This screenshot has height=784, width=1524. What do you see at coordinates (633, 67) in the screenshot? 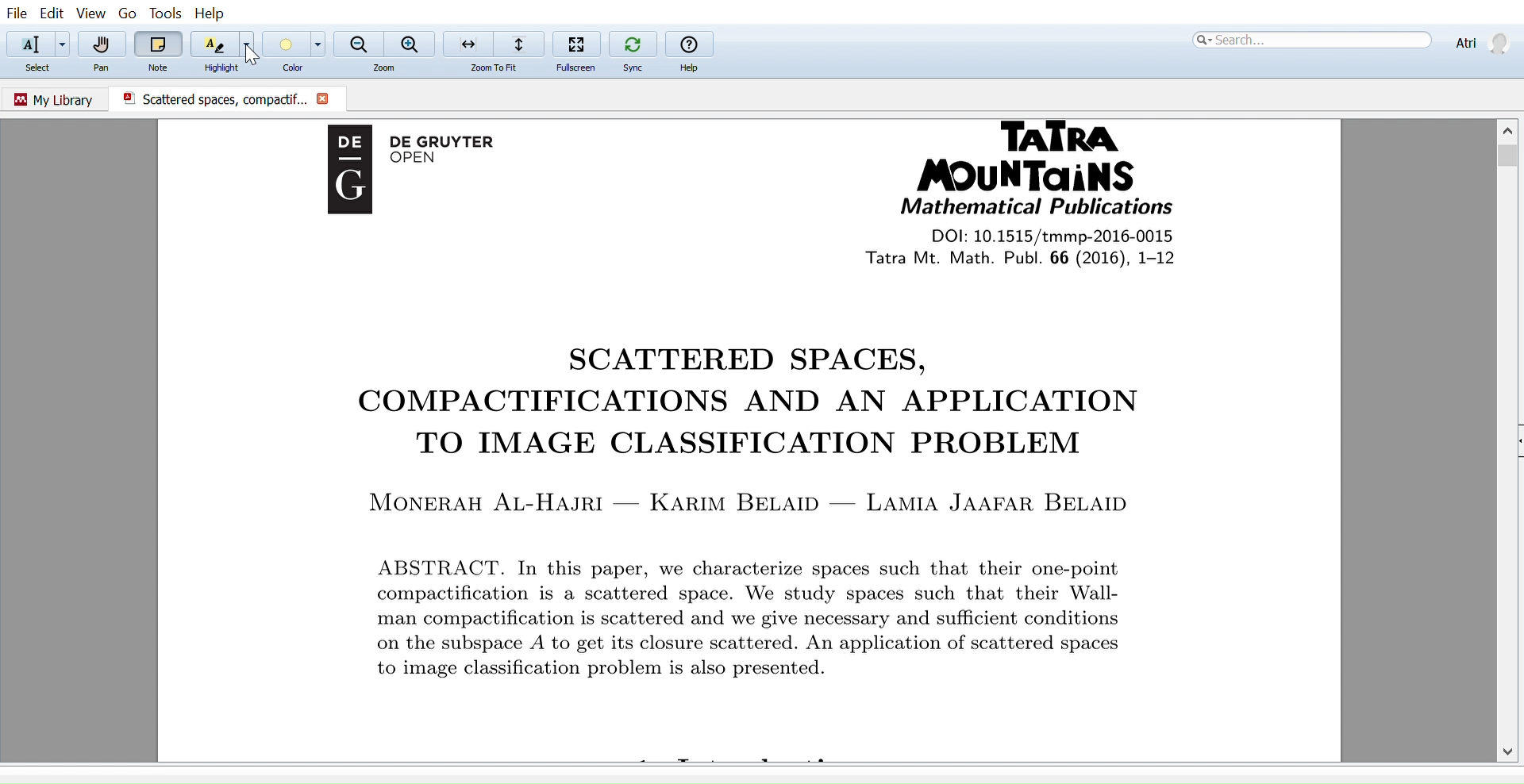
I see `Sync` at bounding box center [633, 67].